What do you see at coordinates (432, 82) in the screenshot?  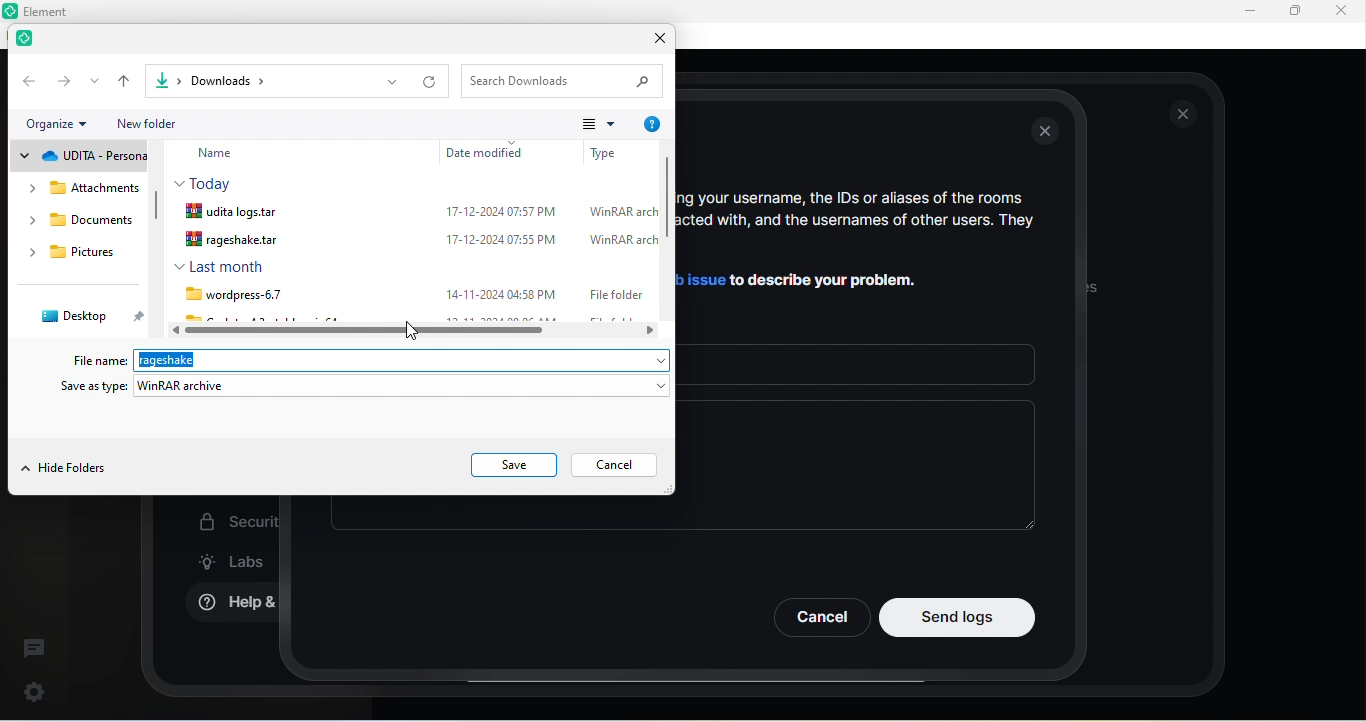 I see `refresh` at bounding box center [432, 82].